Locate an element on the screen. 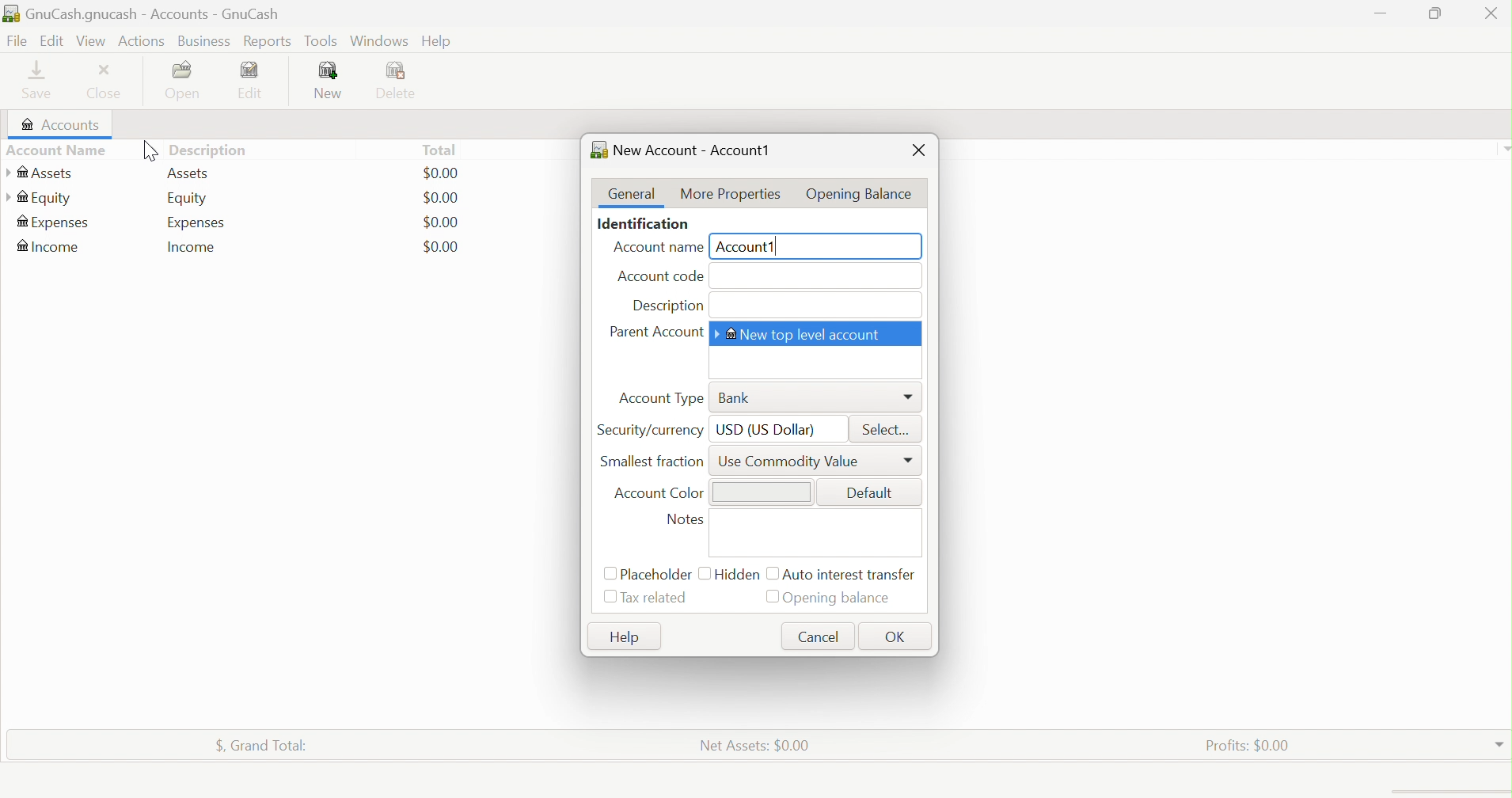  Account Color is located at coordinates (659, 494).